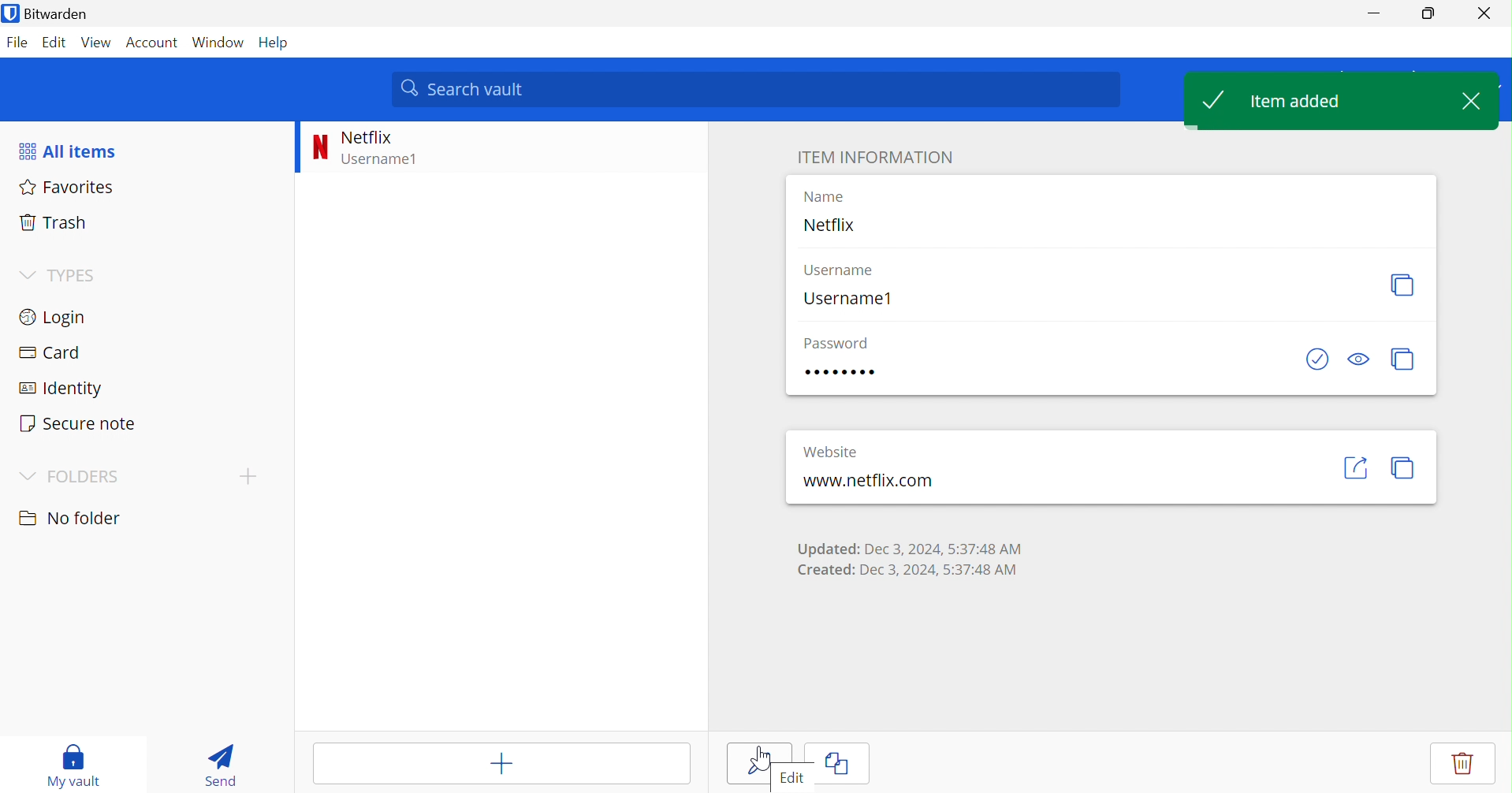  I want to click on My vault, so click(73, 765).